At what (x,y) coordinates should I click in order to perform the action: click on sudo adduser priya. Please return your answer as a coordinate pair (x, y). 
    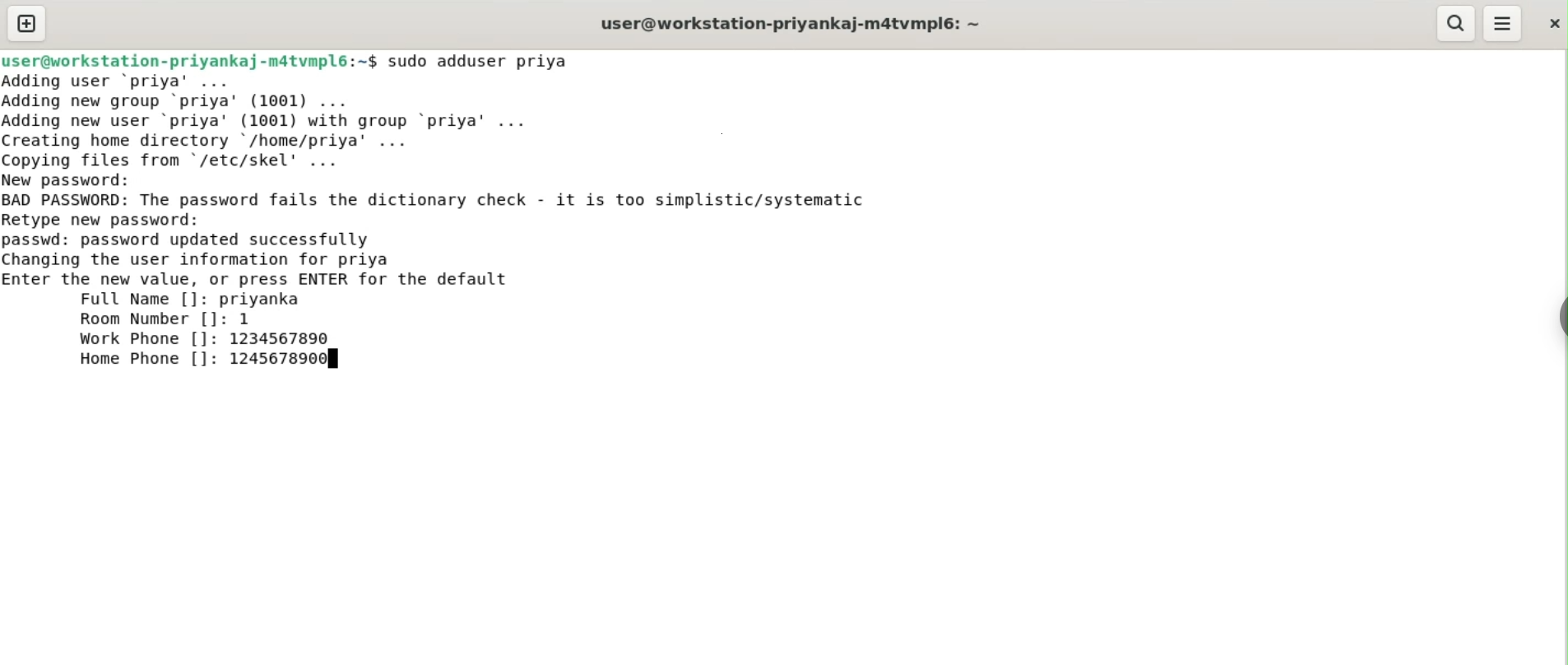
    Looking at the image, I should click on (480, 61).